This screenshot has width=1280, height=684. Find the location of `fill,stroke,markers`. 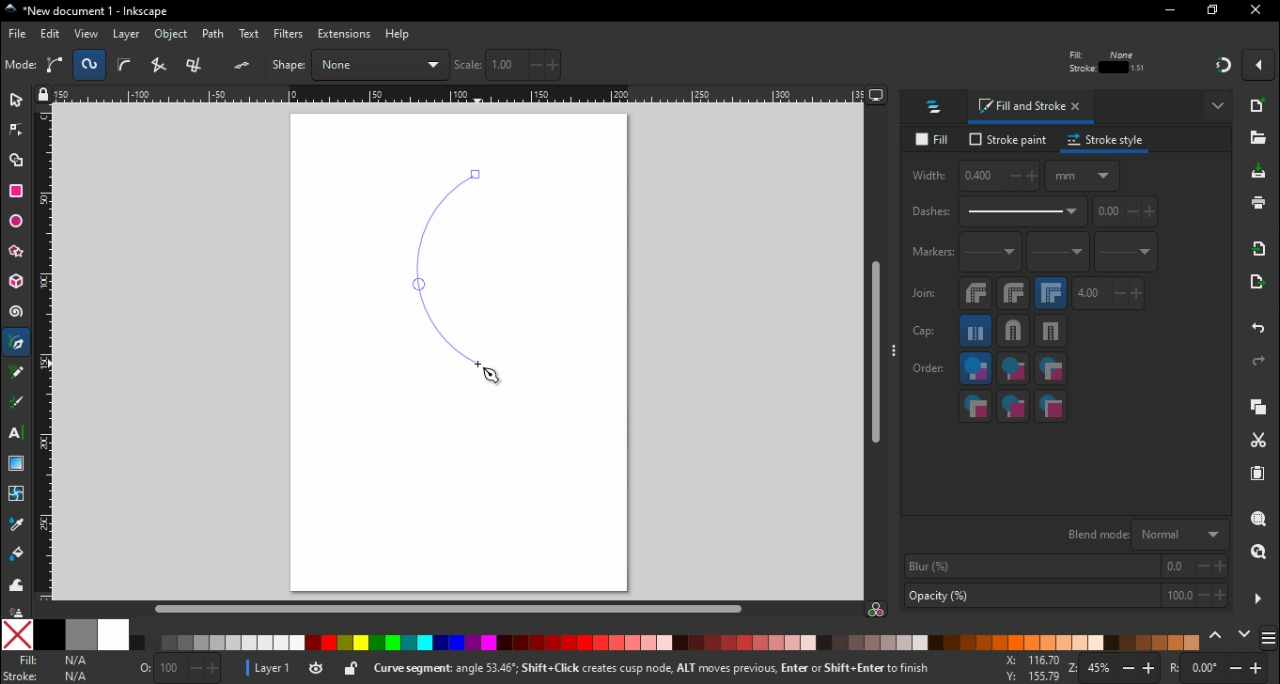

fill,stroke,markers is located at coordinates (975, 371).